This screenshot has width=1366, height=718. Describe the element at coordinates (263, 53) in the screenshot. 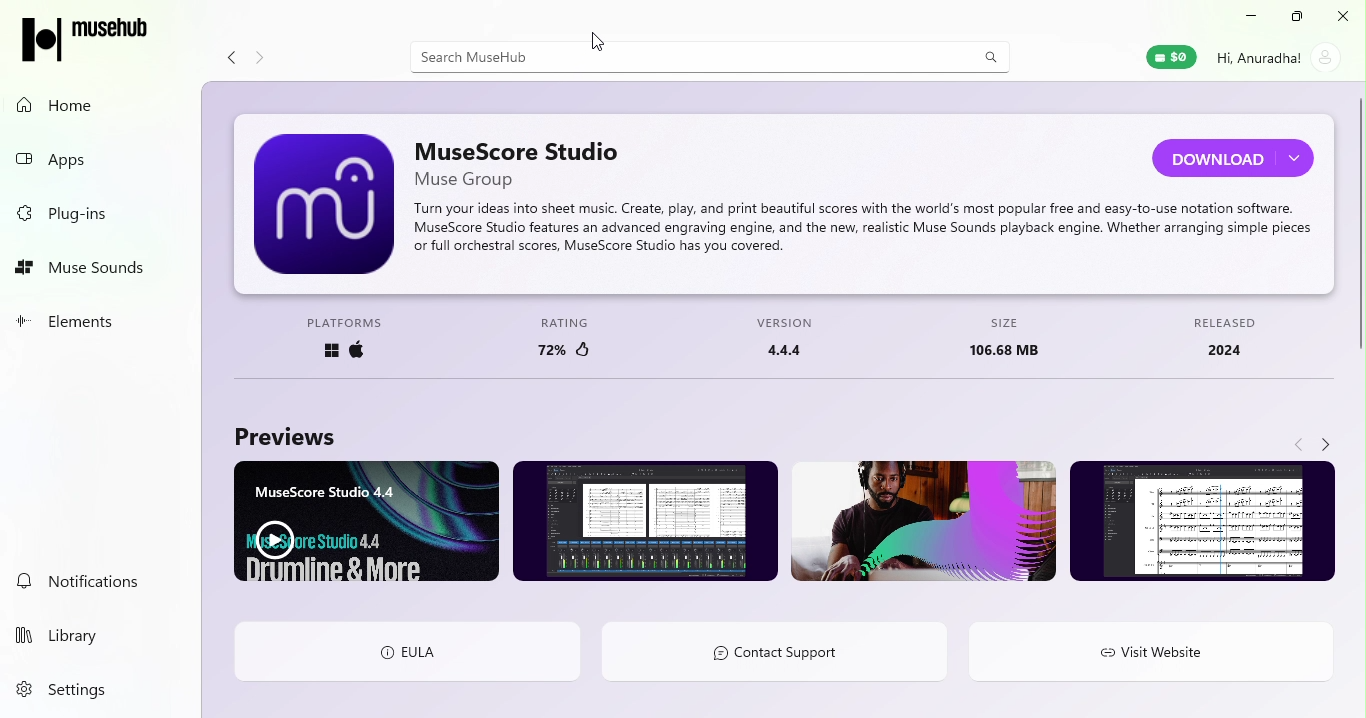

I see `Navigate forward` at that location.